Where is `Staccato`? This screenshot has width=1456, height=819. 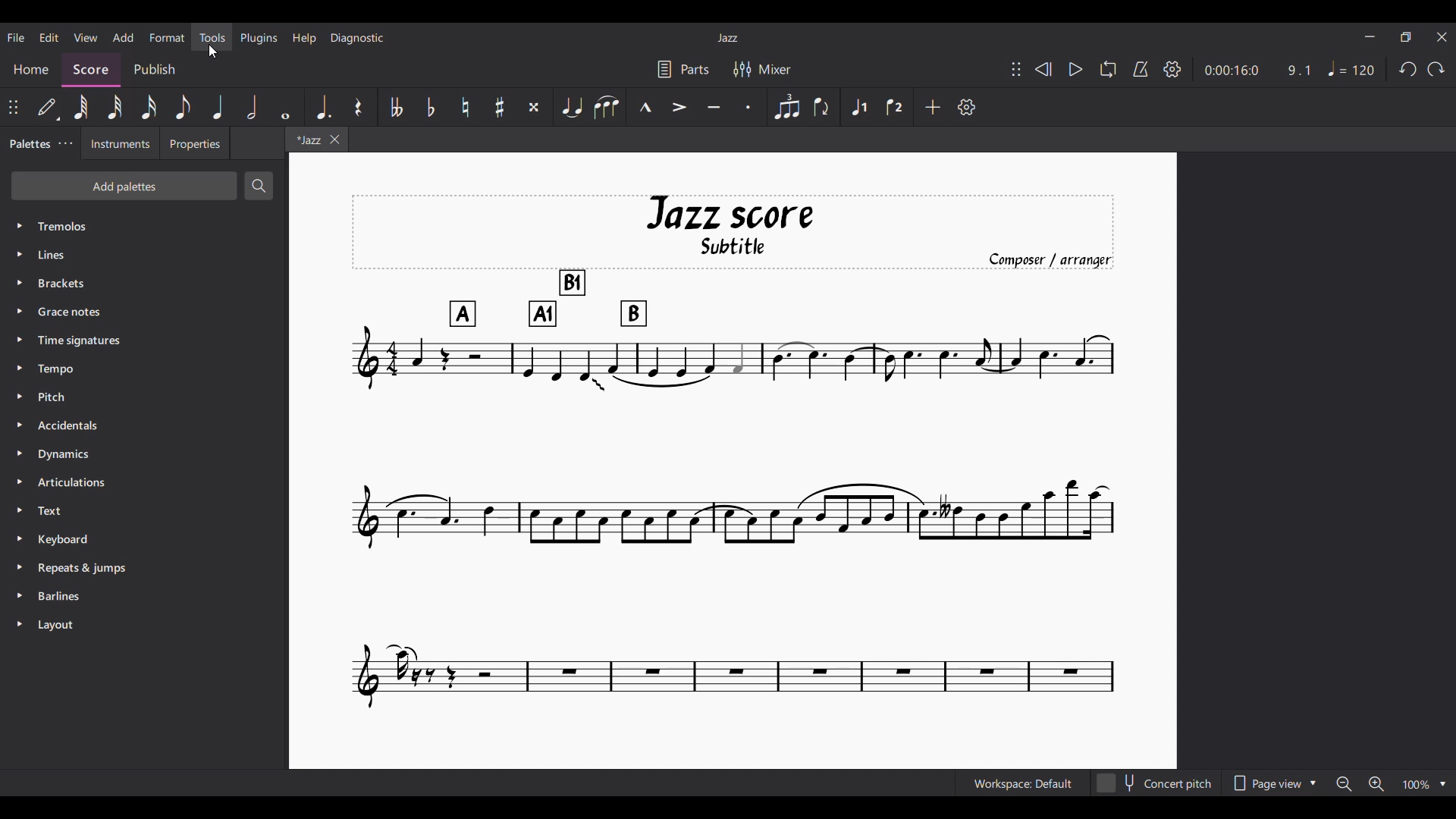 Staccato is located at coordinates (748, 107).